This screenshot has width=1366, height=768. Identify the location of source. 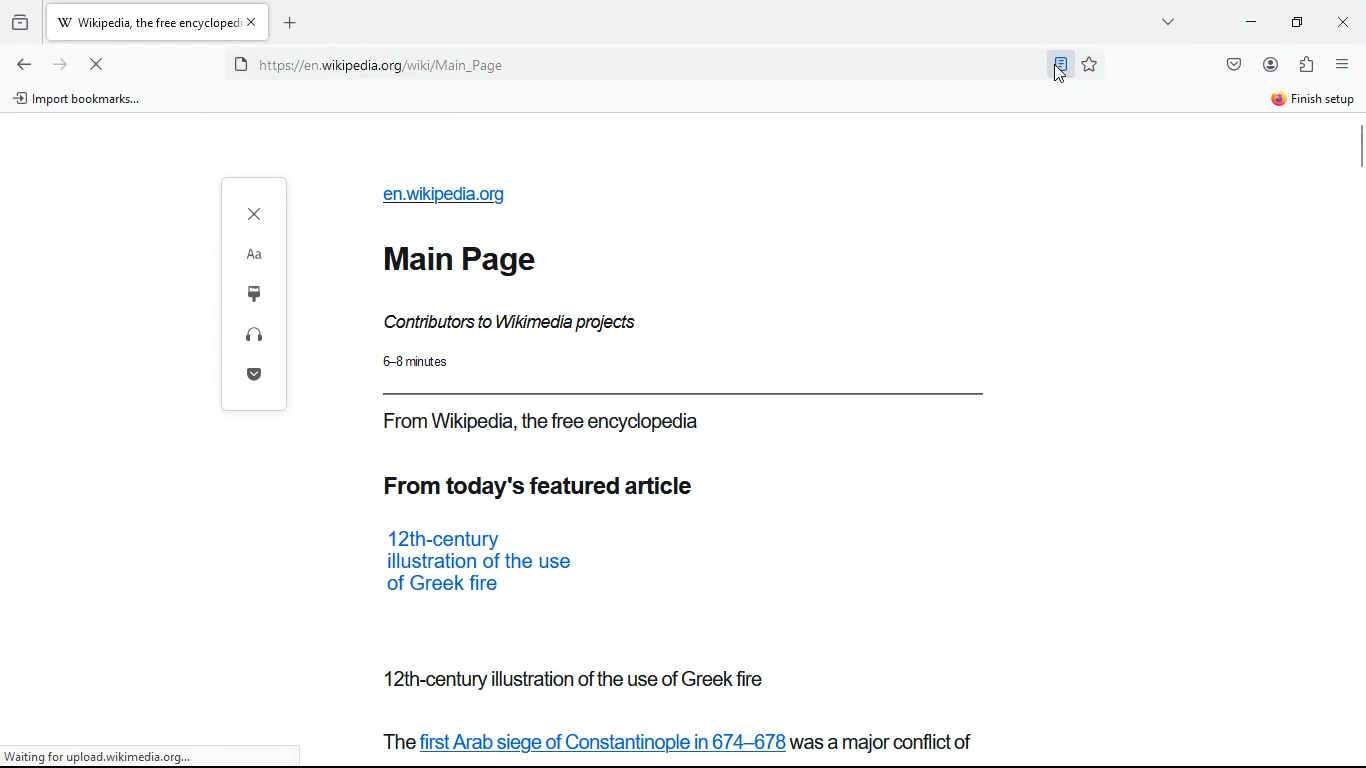
(553, 421).